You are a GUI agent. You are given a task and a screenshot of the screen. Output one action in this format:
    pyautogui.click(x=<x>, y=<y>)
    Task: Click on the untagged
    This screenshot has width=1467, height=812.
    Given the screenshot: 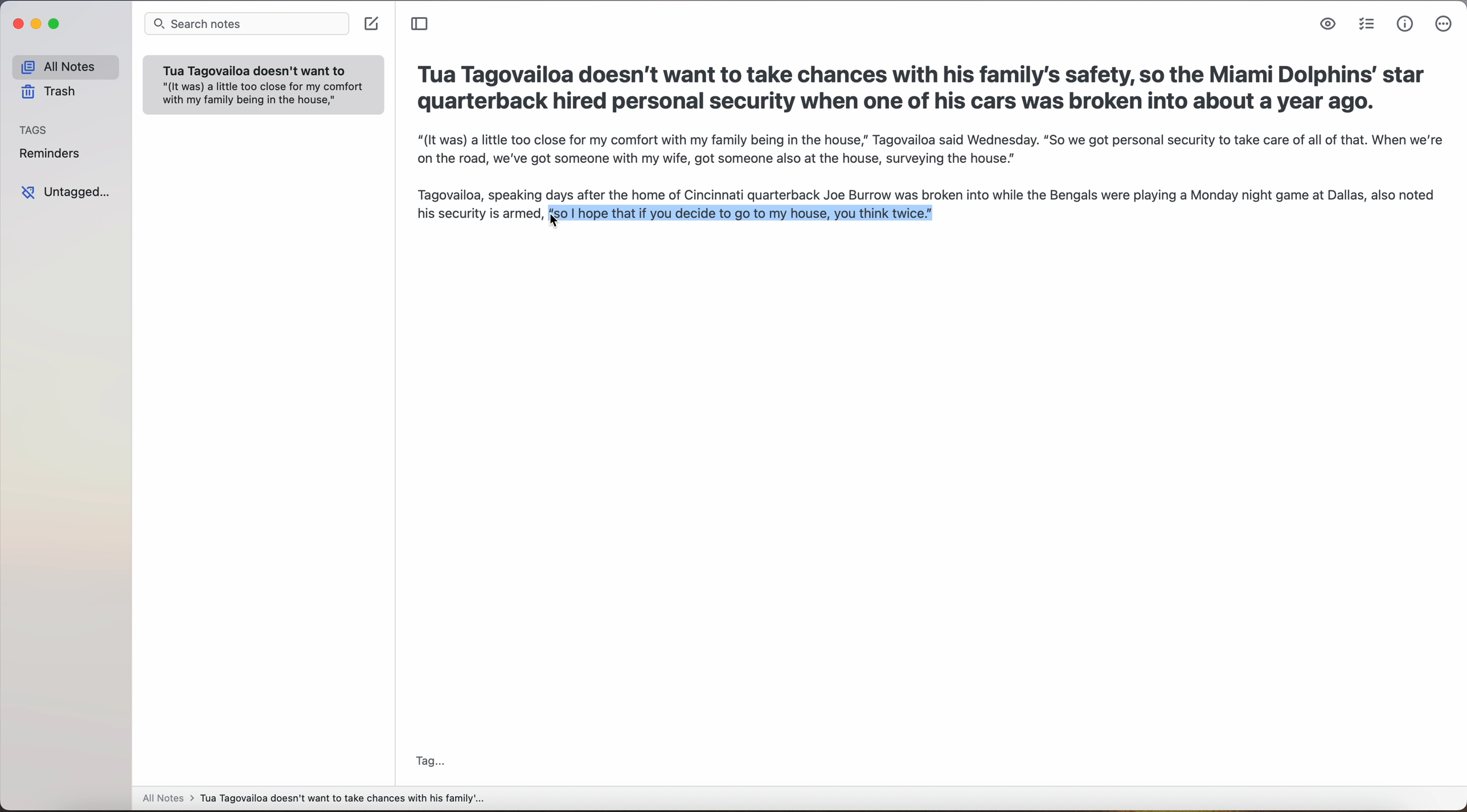 What is the action you would take?
    pyautogui.click(x=68, y=192)
    